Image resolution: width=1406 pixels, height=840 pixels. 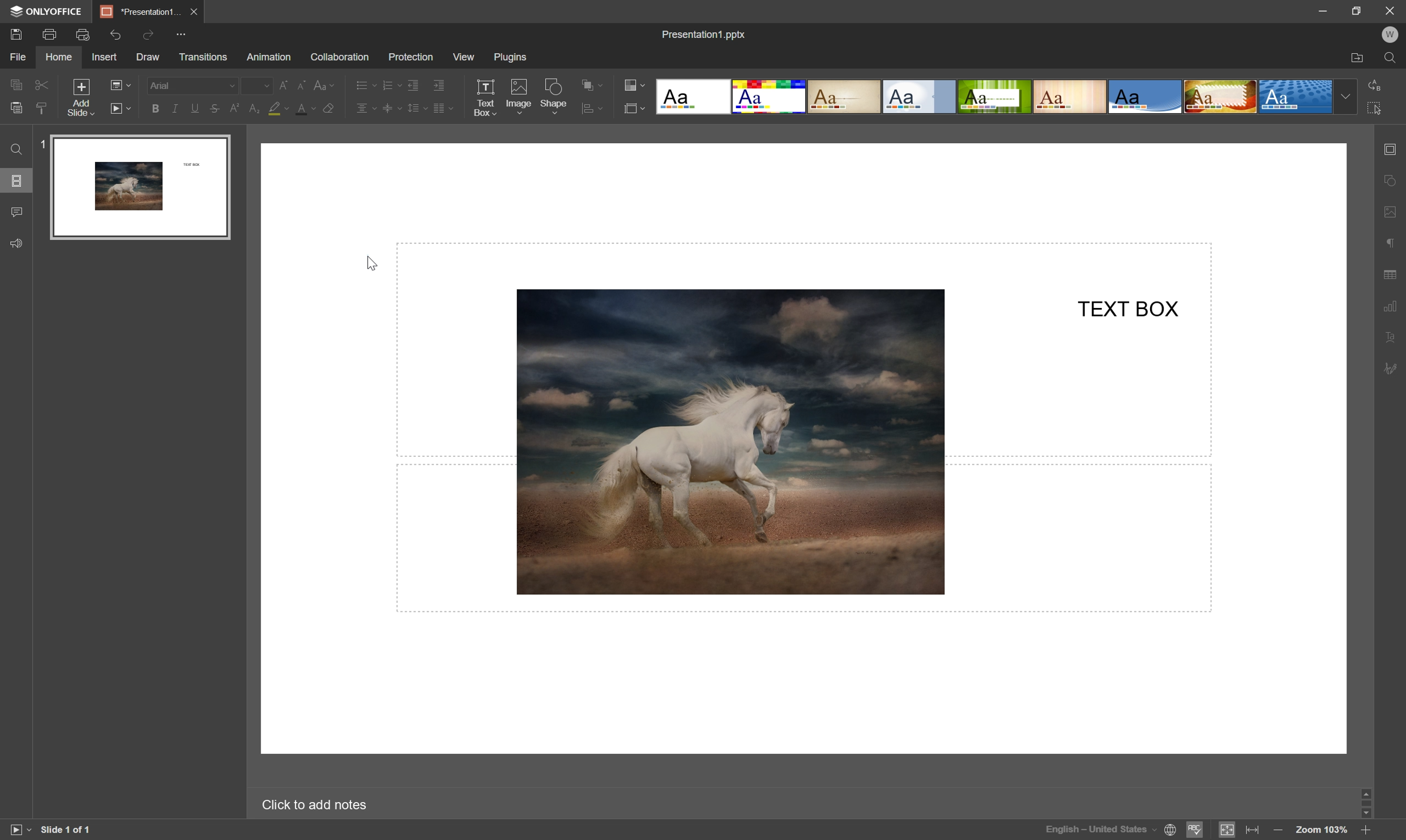 What do you see at coordinates (301, 84) in the screenshot?
I see `decrement font size` at bounding box center [301, 84].